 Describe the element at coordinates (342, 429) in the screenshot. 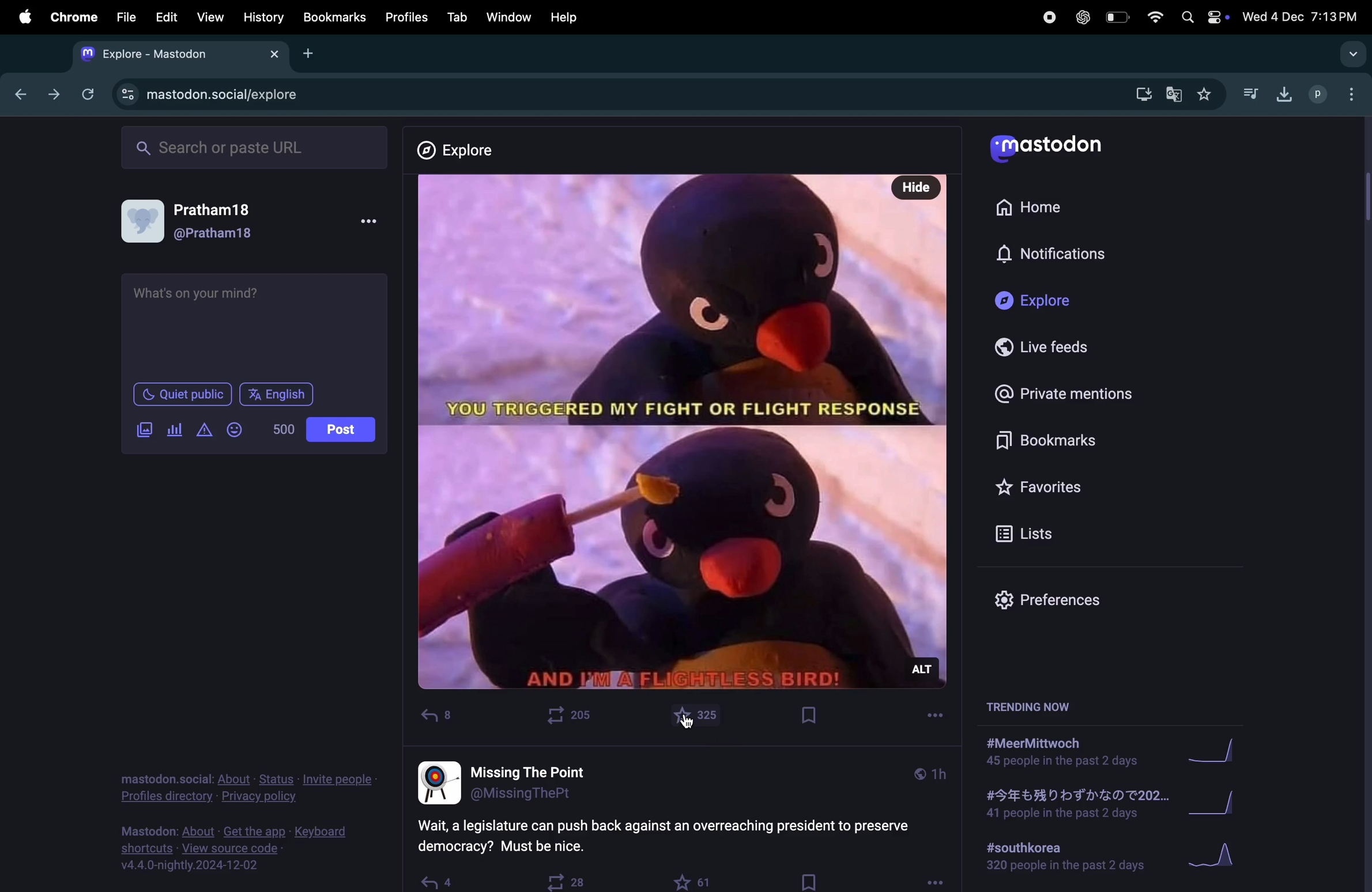

I see `Post` at that location.